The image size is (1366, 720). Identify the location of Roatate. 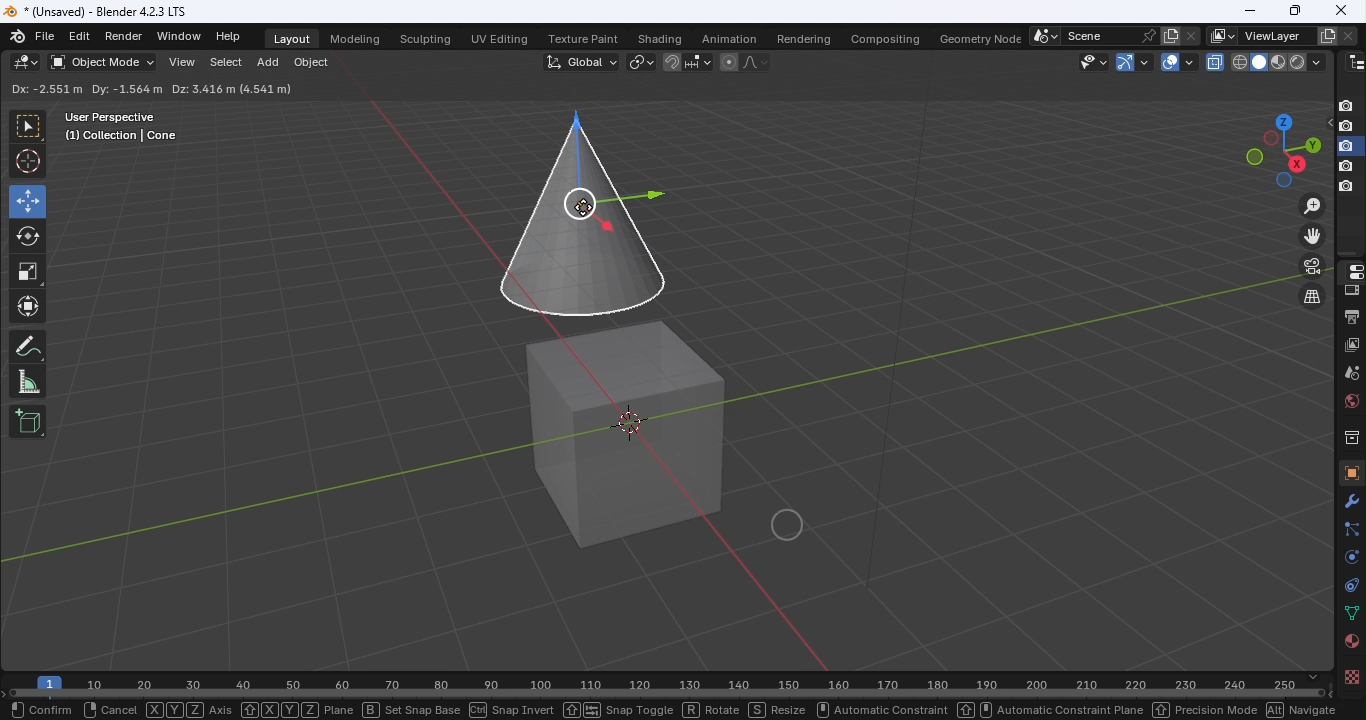
(28, 234).